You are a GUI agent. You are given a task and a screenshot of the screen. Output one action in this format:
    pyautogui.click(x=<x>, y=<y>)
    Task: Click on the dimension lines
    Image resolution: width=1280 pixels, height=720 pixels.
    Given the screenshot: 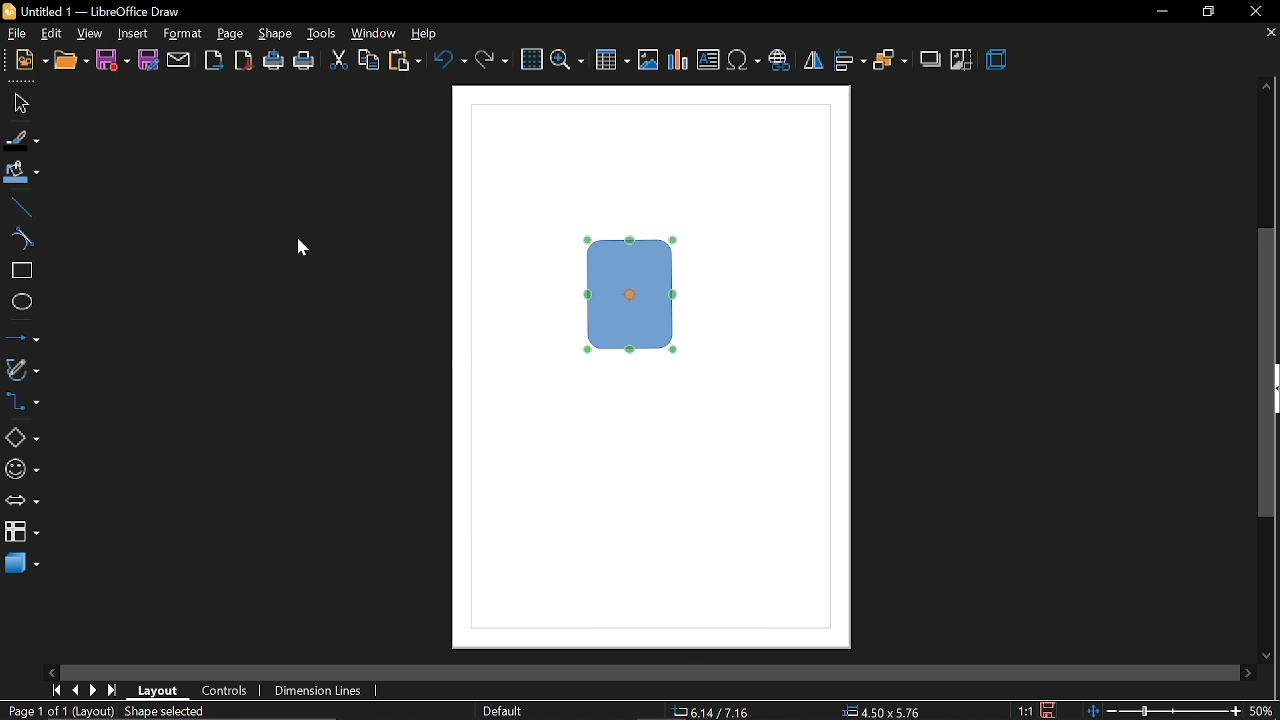 What is the action you would take?
    pyautogui.click(x=321, y=691)
    